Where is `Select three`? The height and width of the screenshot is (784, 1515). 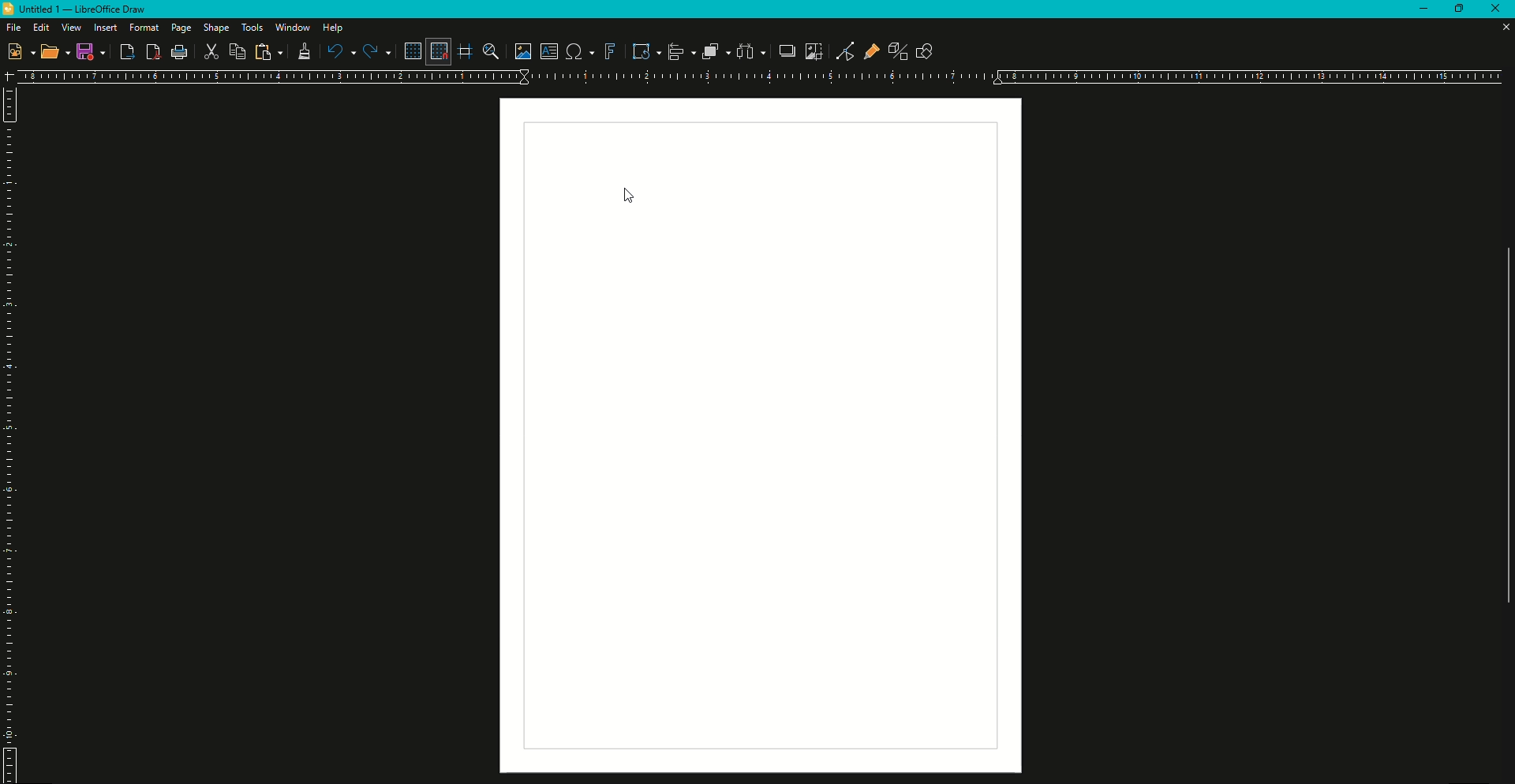
Select three is located at coordinates (750, 51).